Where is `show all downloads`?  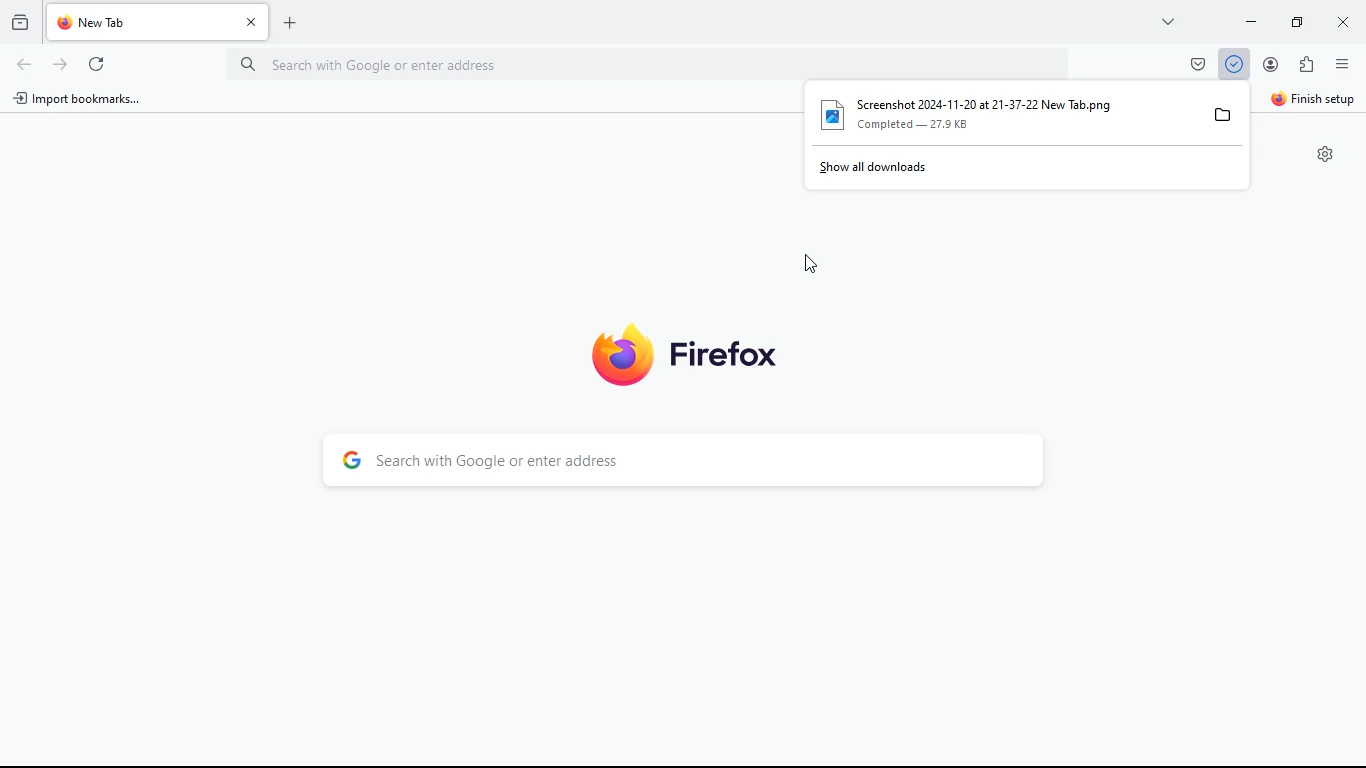 show all downloads is located at coordinates (873, 166).